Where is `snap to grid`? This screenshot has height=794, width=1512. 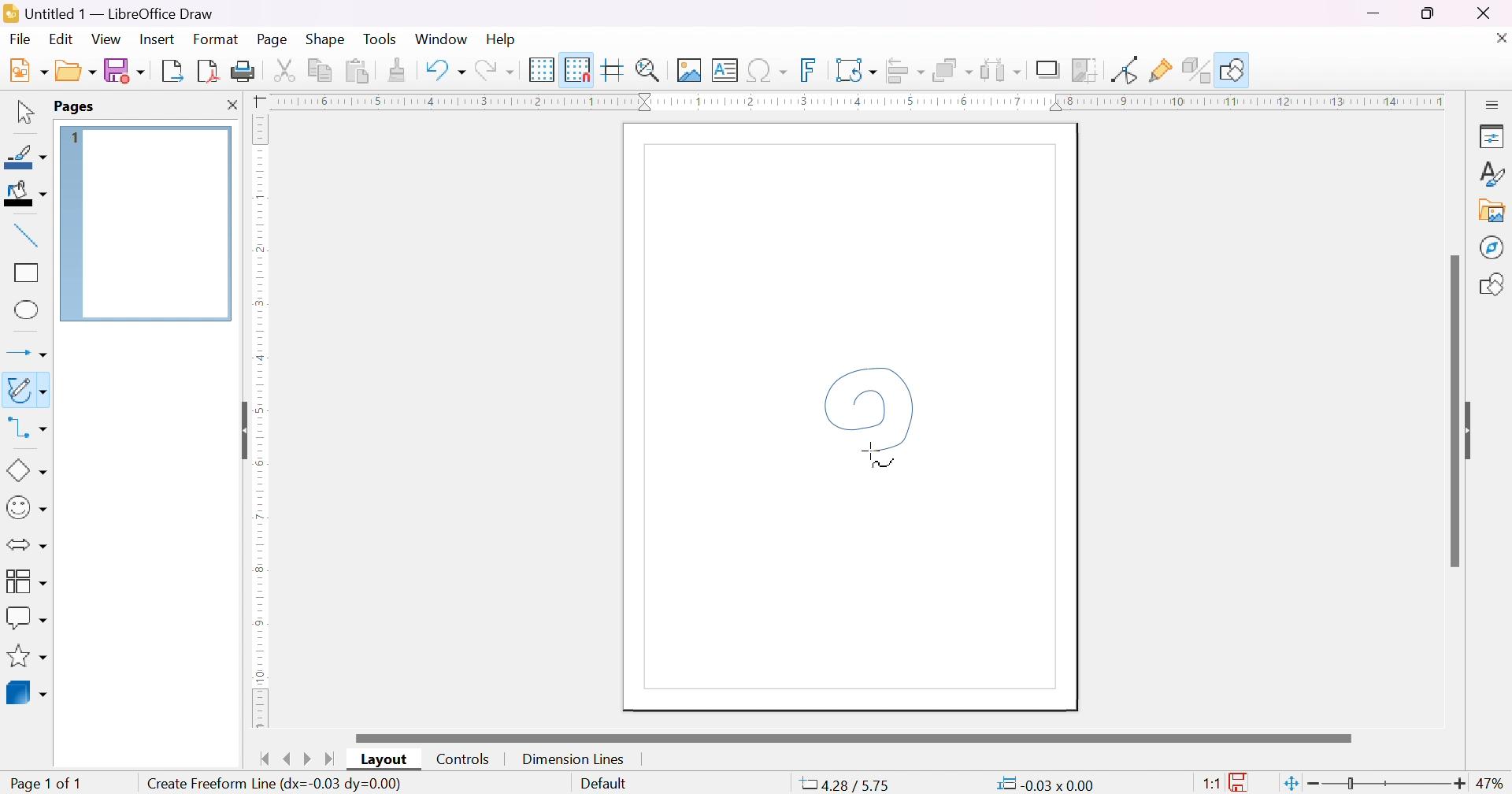 snap to grid is located at coordinates (576, 69).